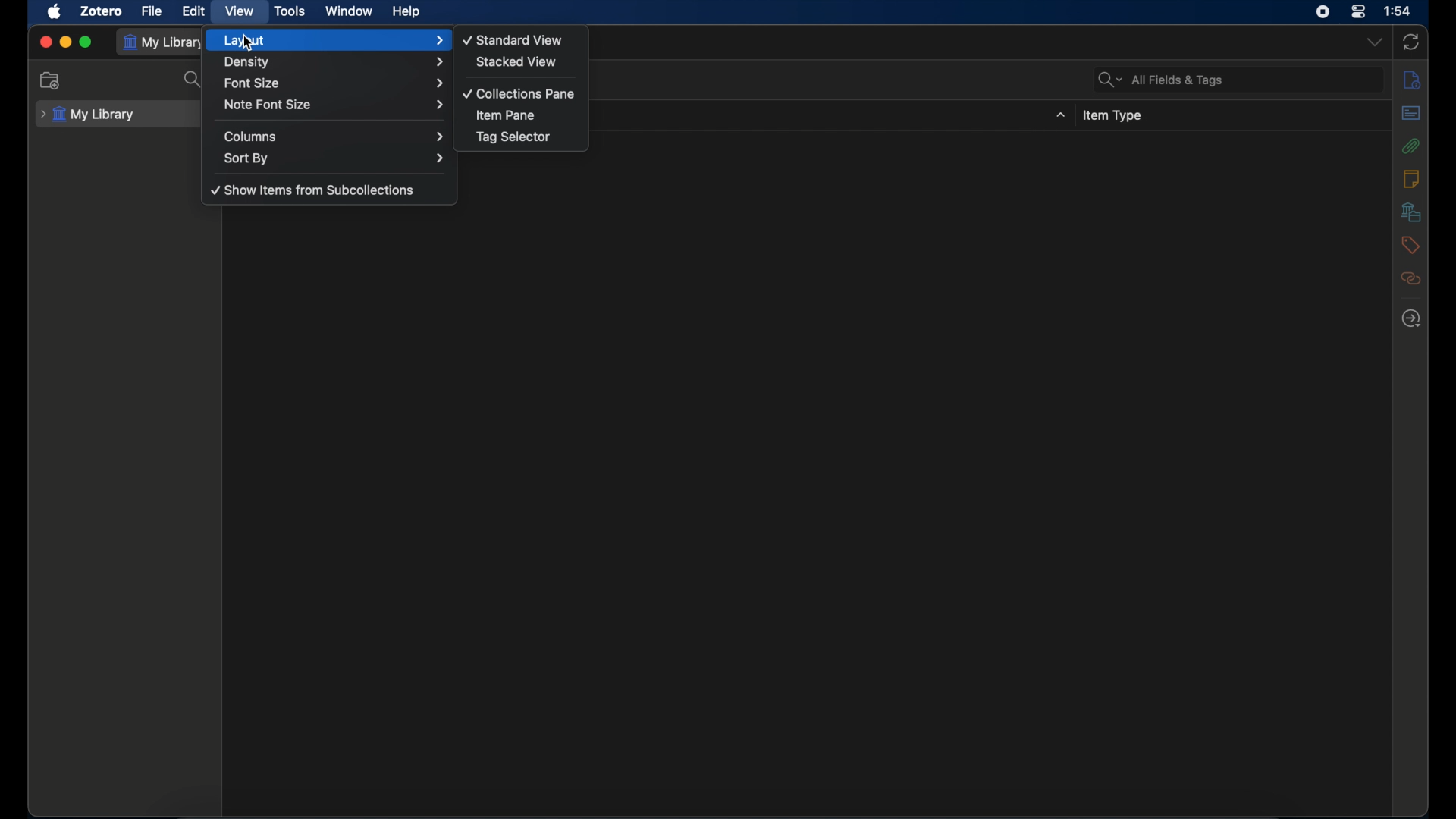  What do you see at coordinates (1412, 114) in the screenshot?
I see `abstract` at bounding box center [1412, 114].